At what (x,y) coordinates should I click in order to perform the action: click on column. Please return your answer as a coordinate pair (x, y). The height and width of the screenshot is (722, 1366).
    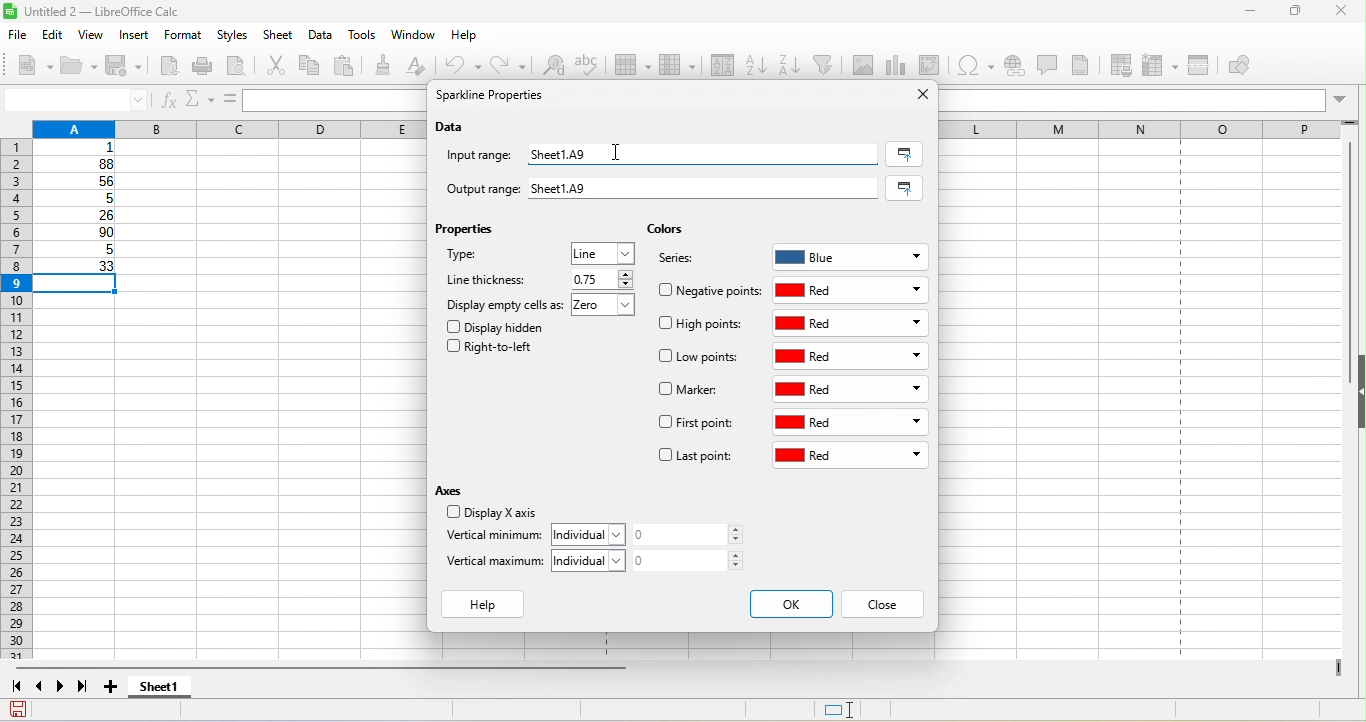
    Looking at the image, I should click on (225, 127).